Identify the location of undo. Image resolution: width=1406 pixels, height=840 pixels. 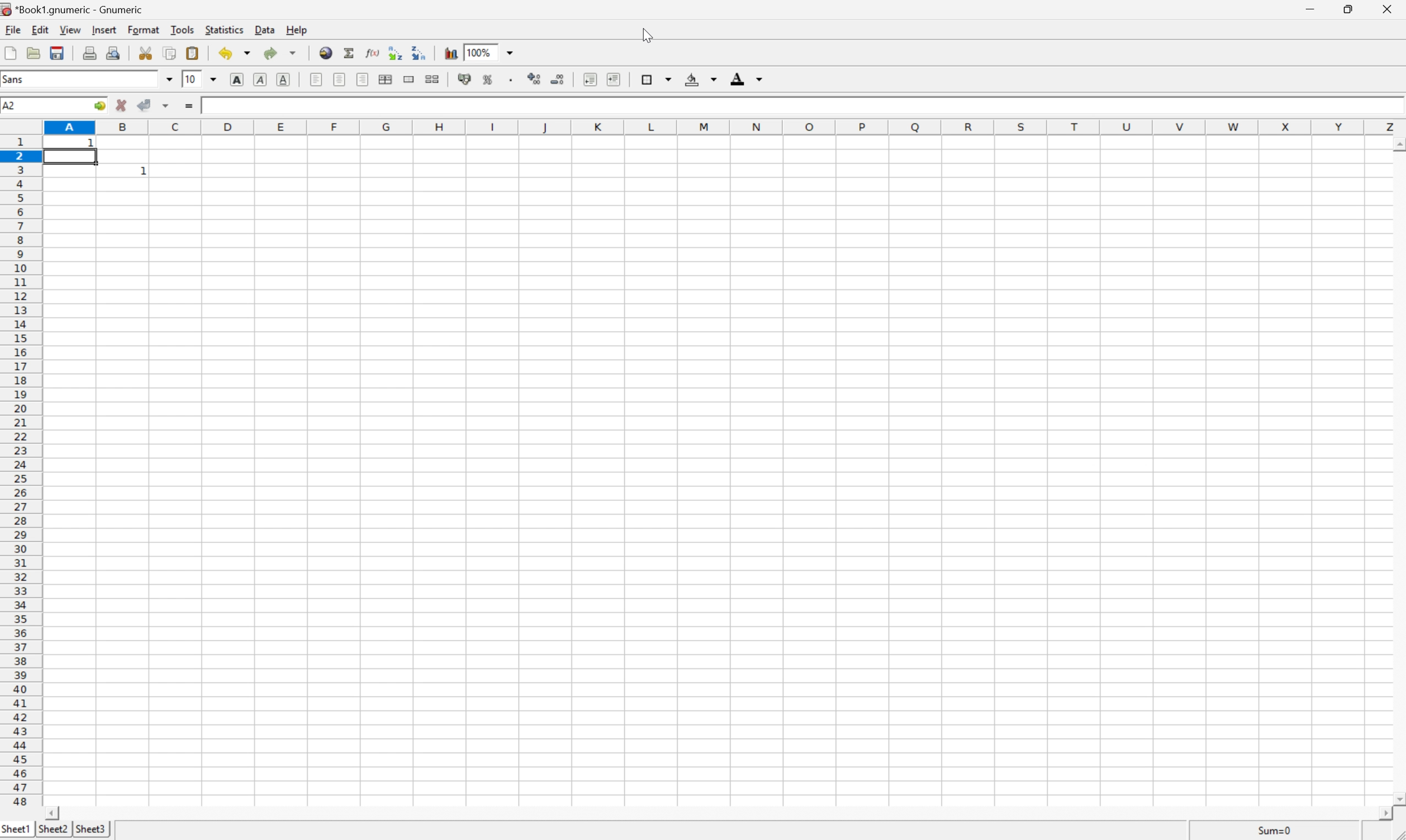
(235, 53).